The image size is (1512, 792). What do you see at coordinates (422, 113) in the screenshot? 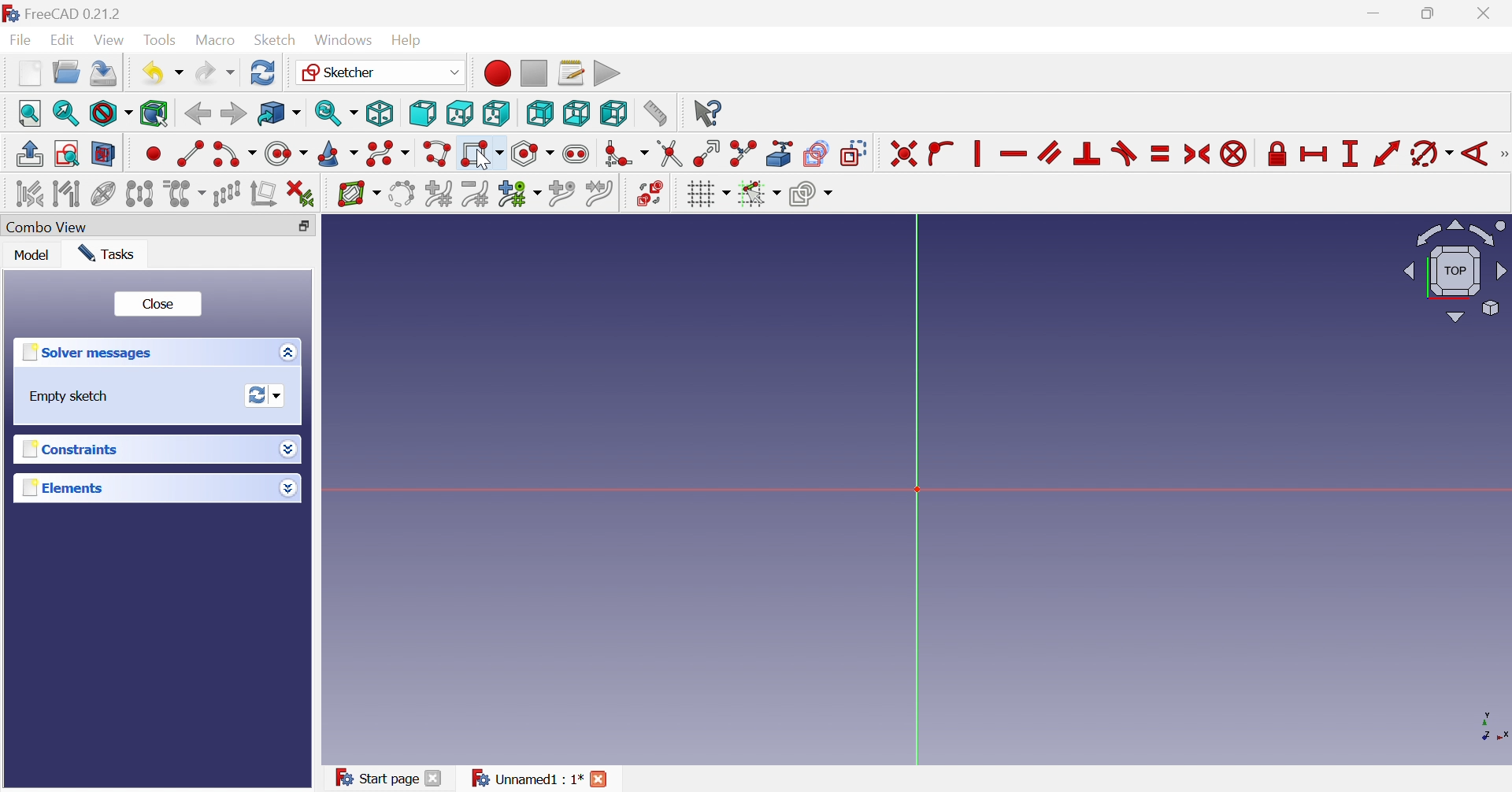
I see `Front` at bounding box center [422, 113].